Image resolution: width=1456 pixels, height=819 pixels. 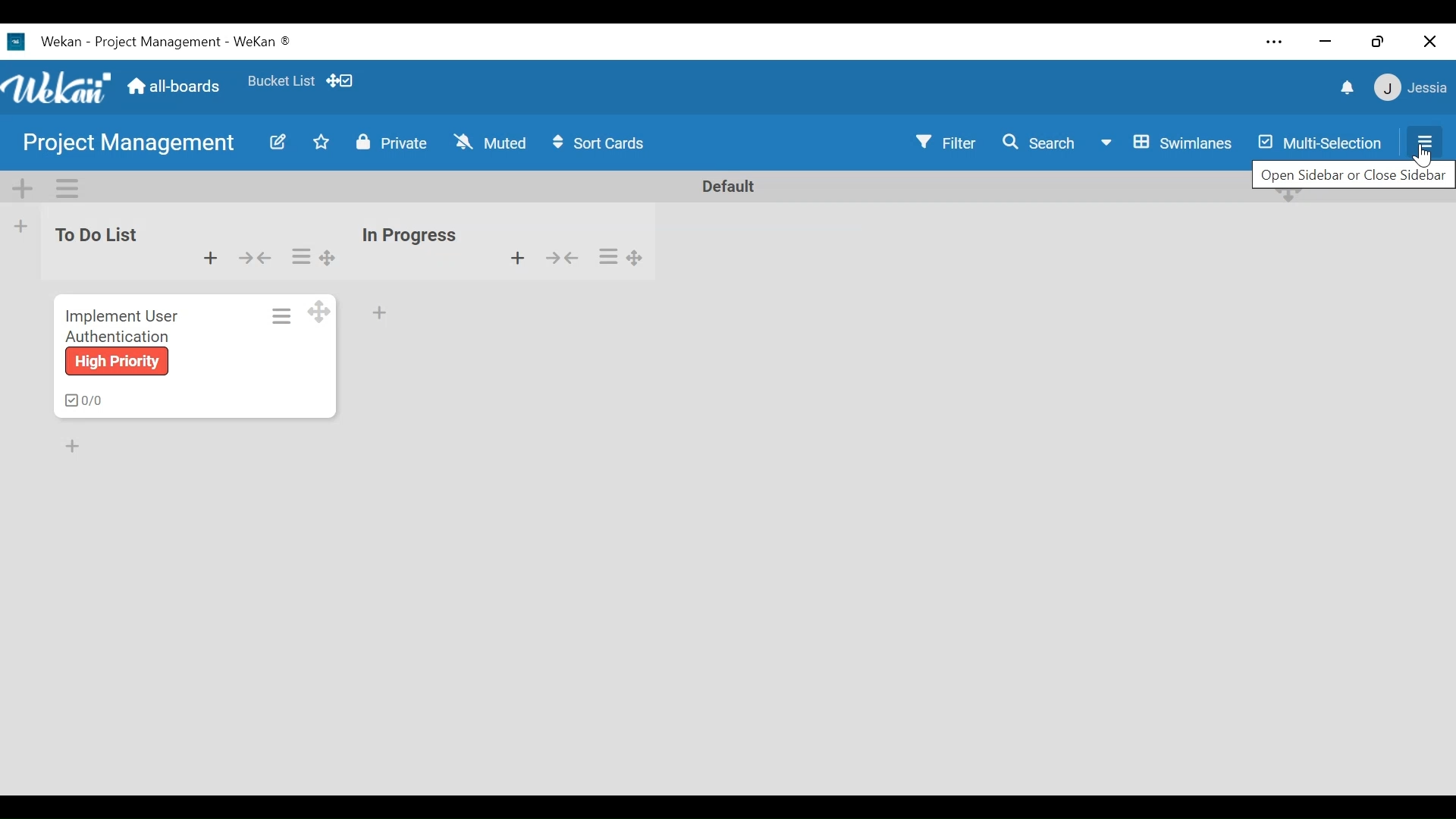 I want to click on settings and more, so click(x=1272, y=42).